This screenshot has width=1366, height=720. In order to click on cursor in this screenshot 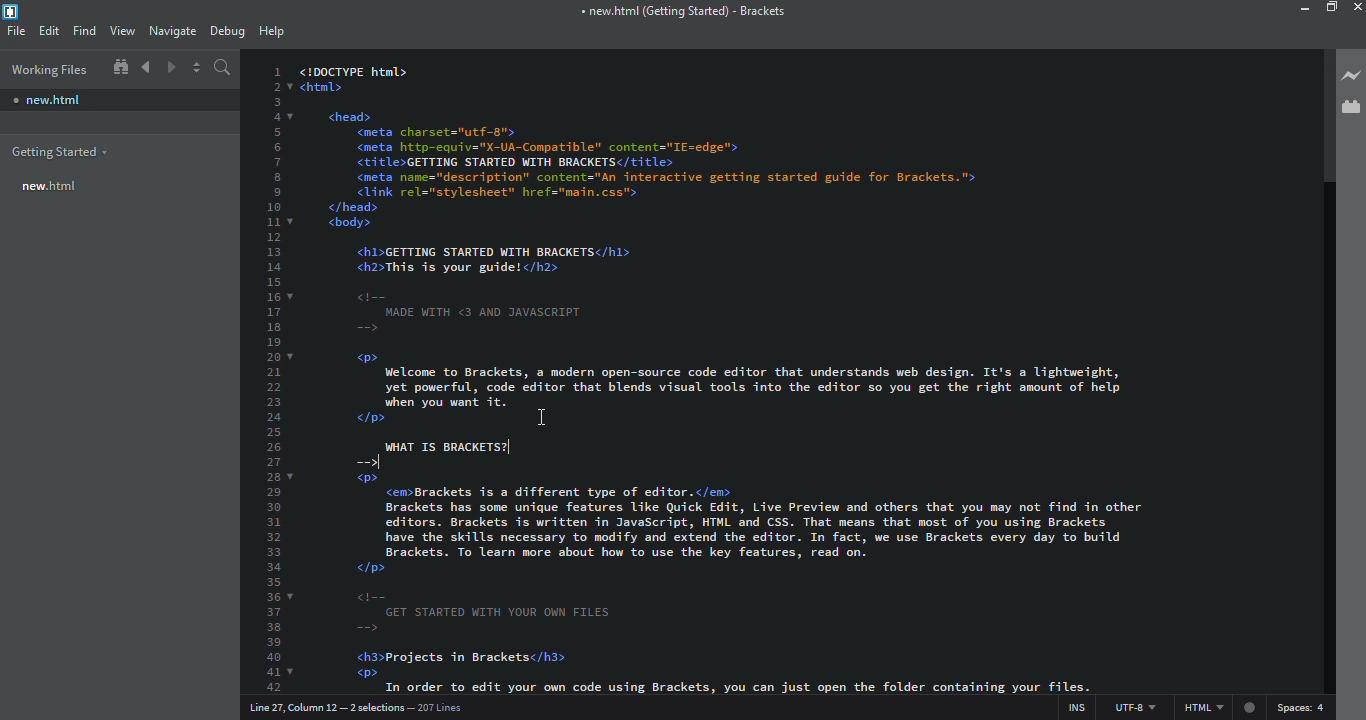, I will do `click(550, 417)`.